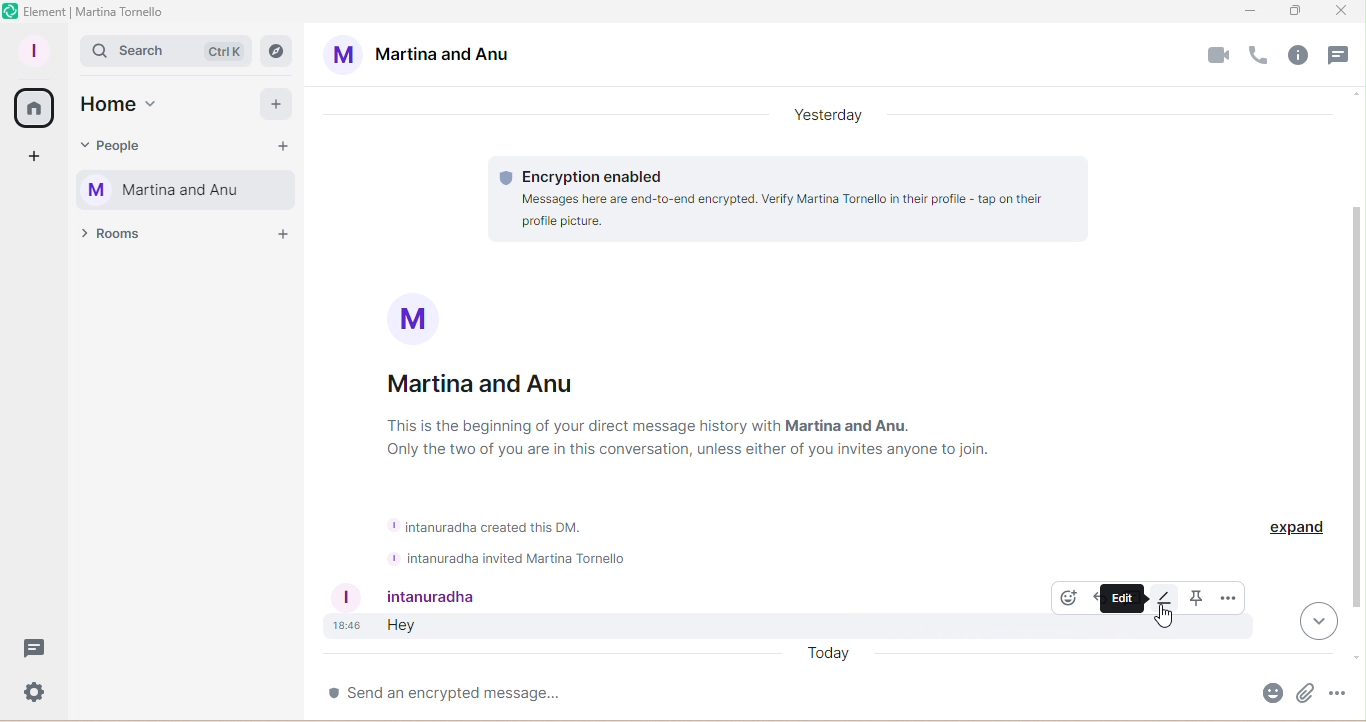  I want to click on + intanuradha invited Martina Tornello, so click(507, 557).